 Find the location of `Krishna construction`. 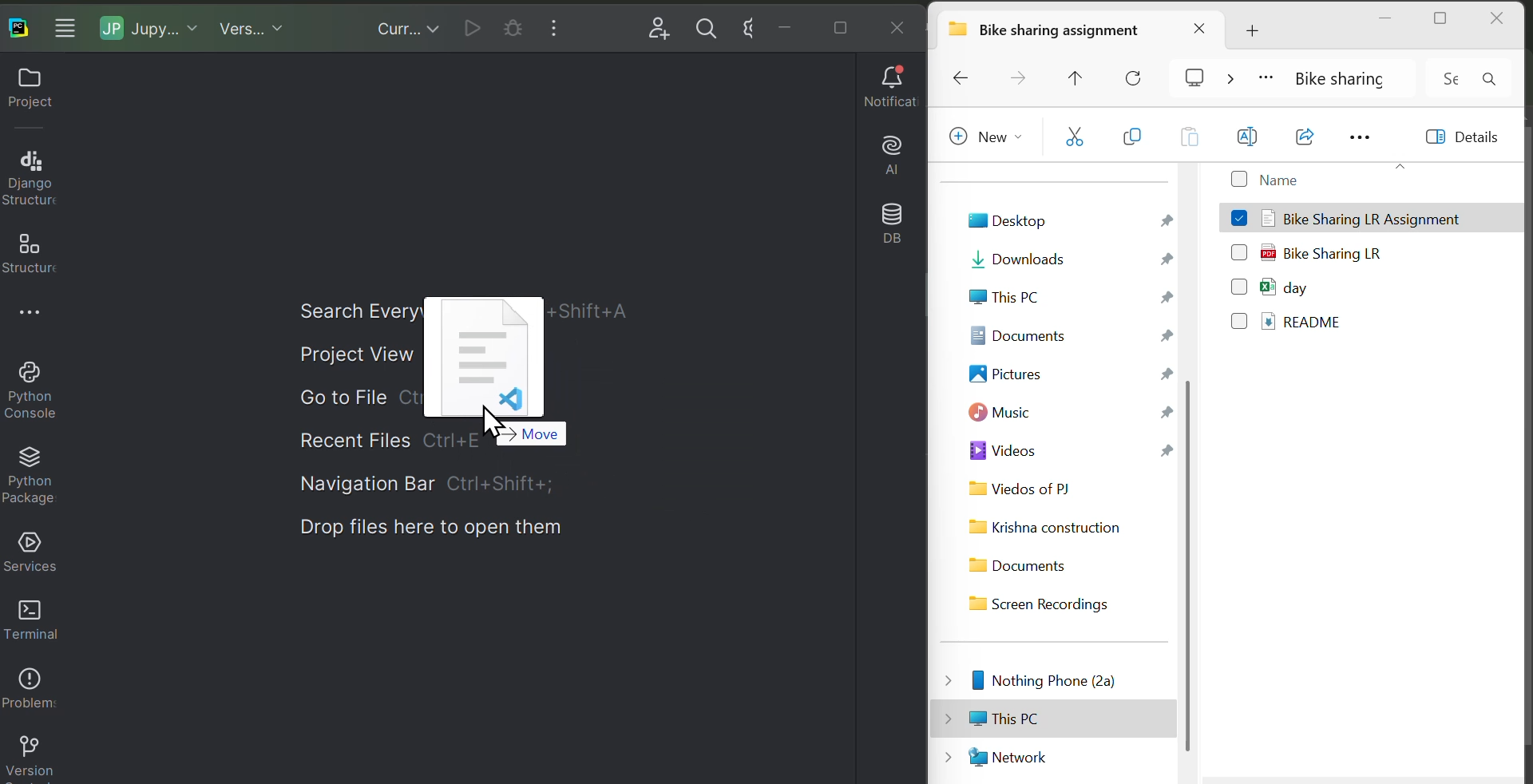

Krishna construction is located at coordinates (1048, 529).